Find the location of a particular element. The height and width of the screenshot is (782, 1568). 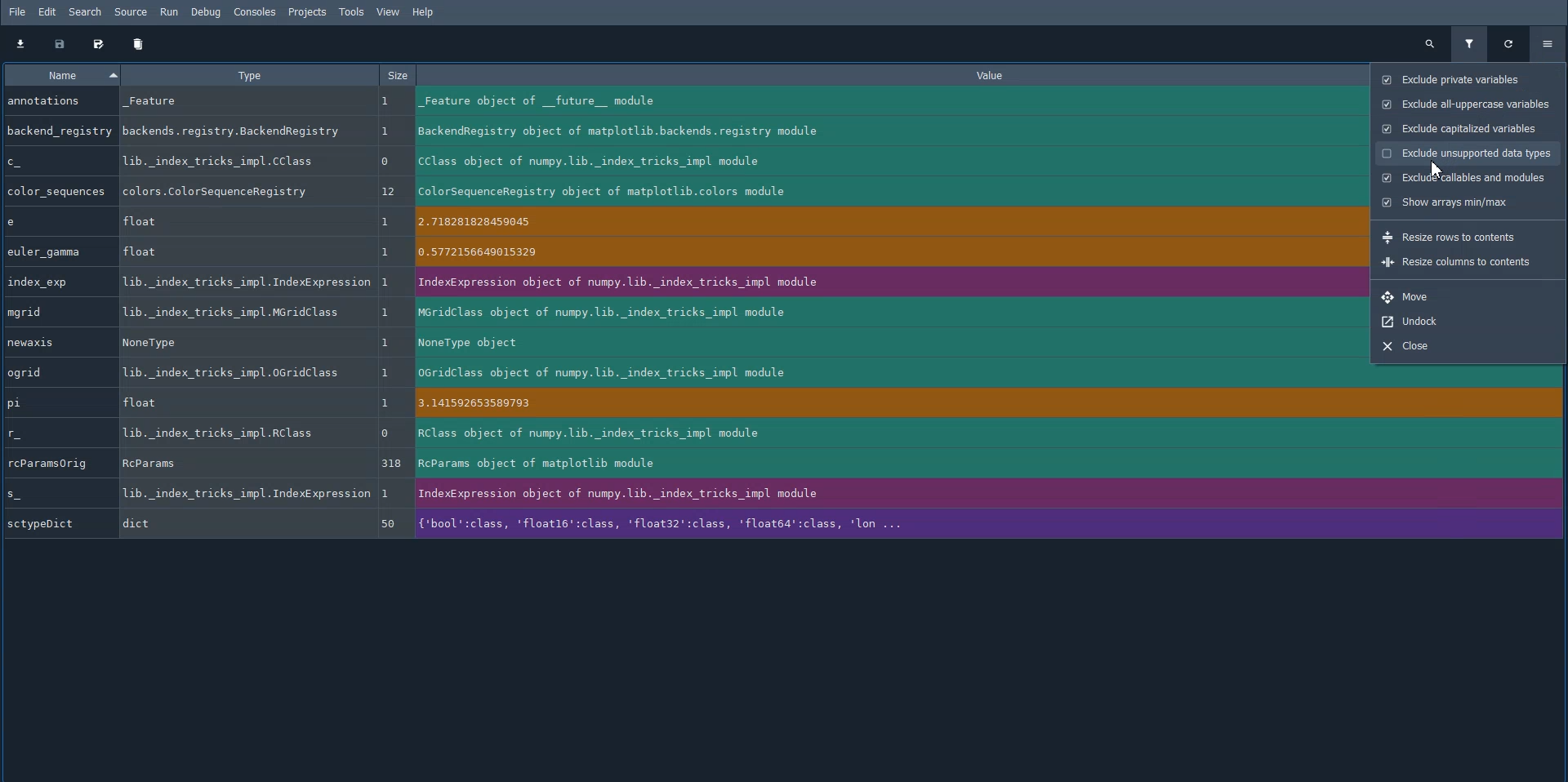

Filter variables is located at coordinates (1468, 44).